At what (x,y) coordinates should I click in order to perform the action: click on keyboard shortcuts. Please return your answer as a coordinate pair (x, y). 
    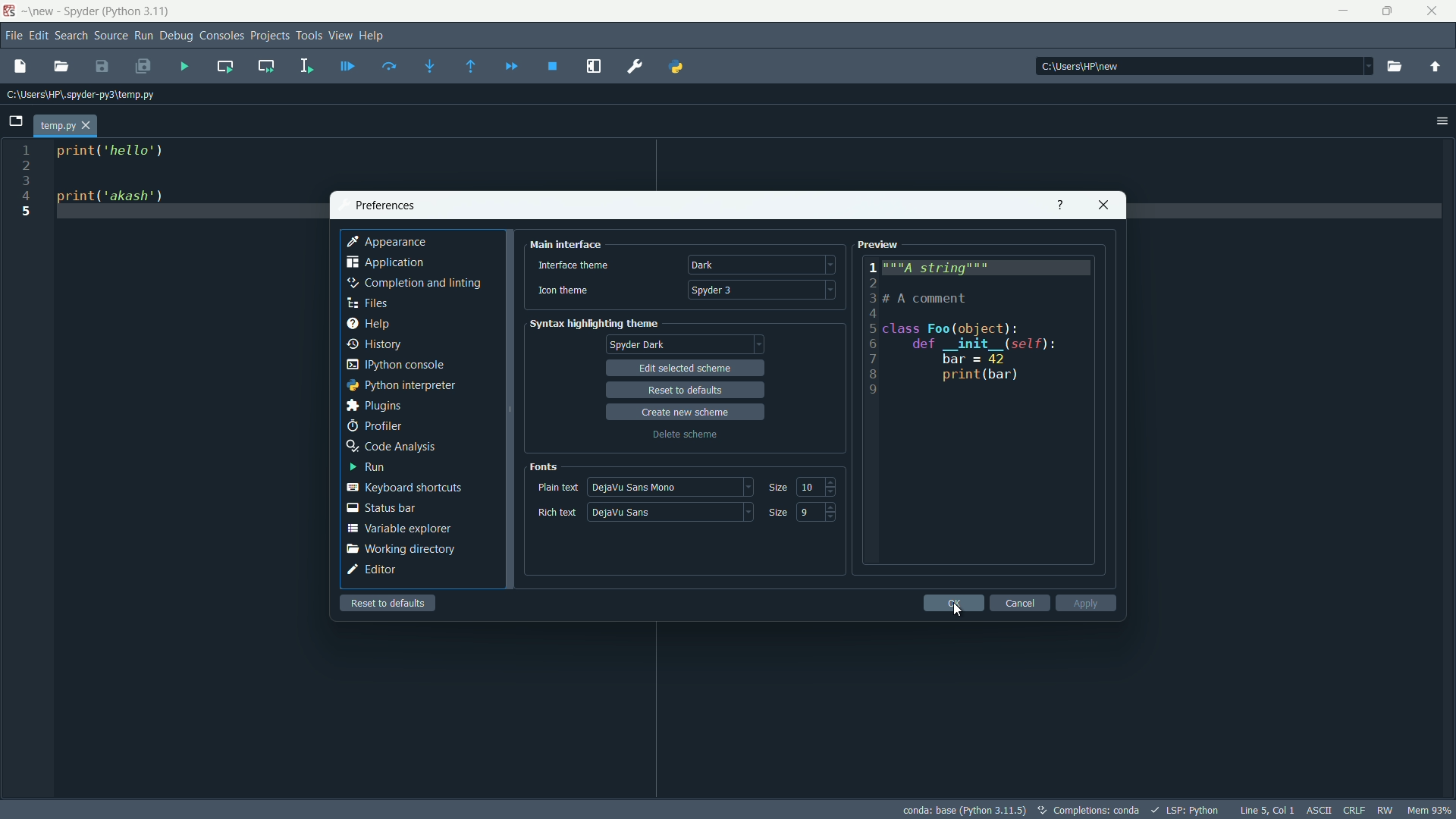
    Looking at the image, I should click on (404, 488).